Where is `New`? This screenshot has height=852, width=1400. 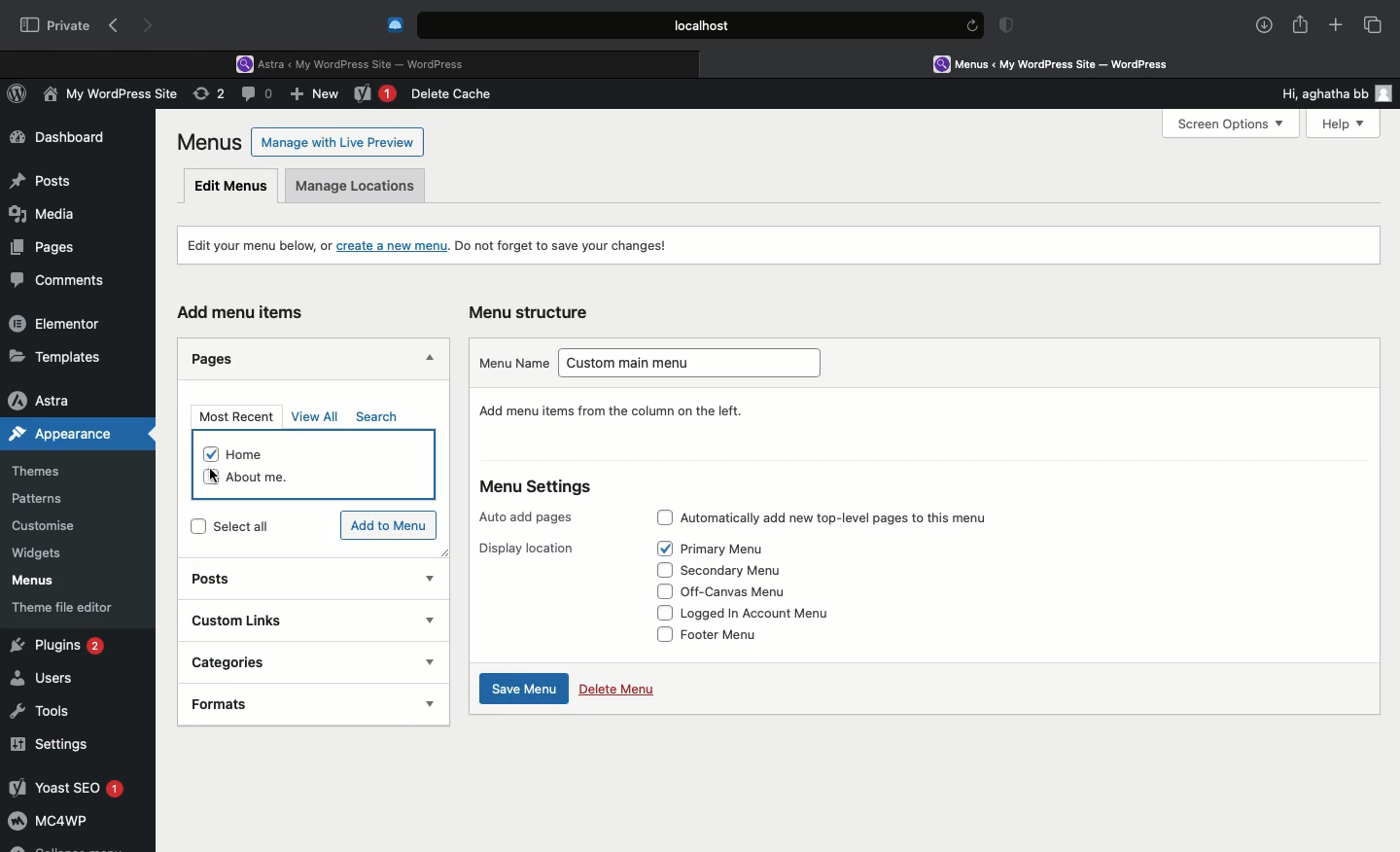
New is located at coordinates (317, 96).